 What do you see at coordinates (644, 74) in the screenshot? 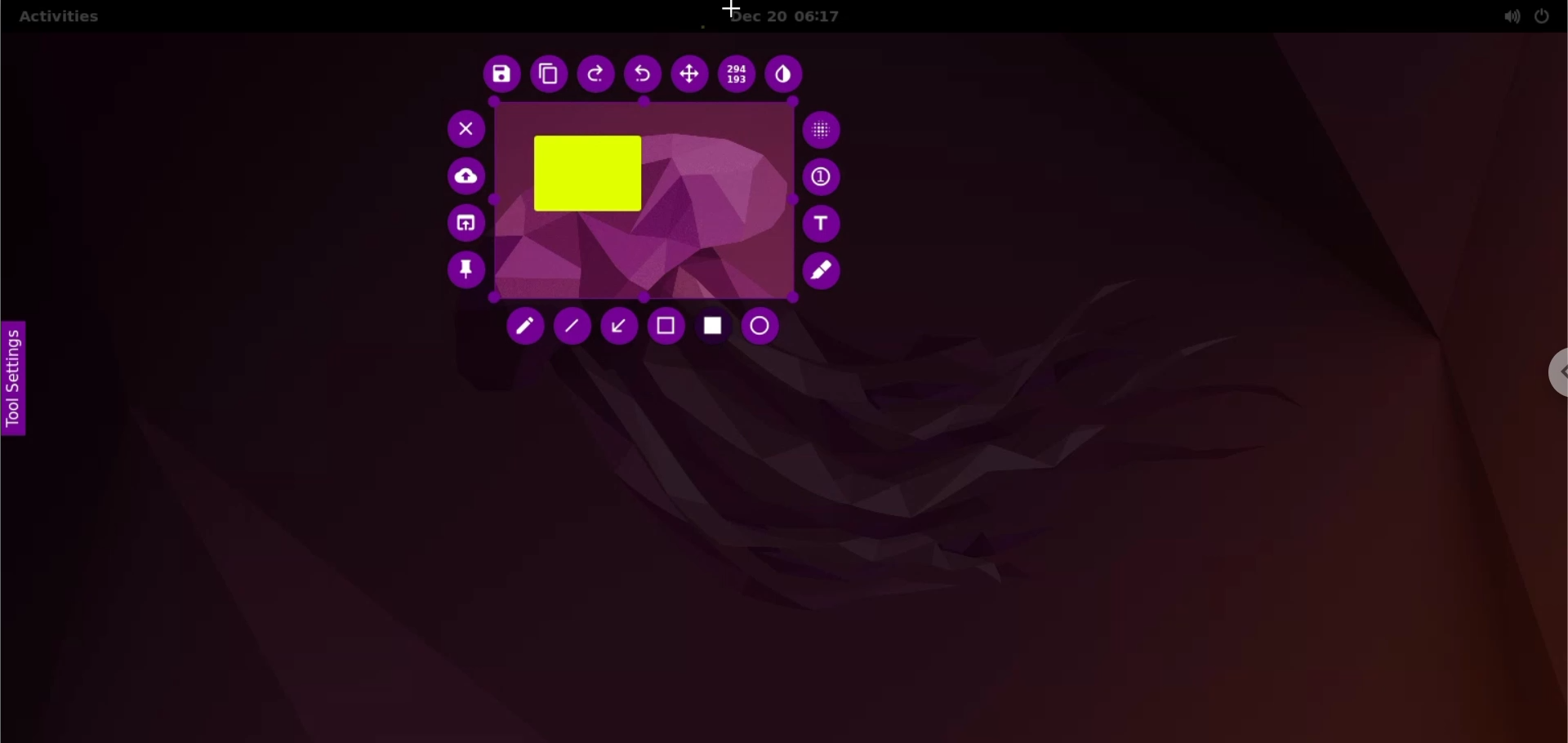
I see `undo ` at bounding box center [644, 74].